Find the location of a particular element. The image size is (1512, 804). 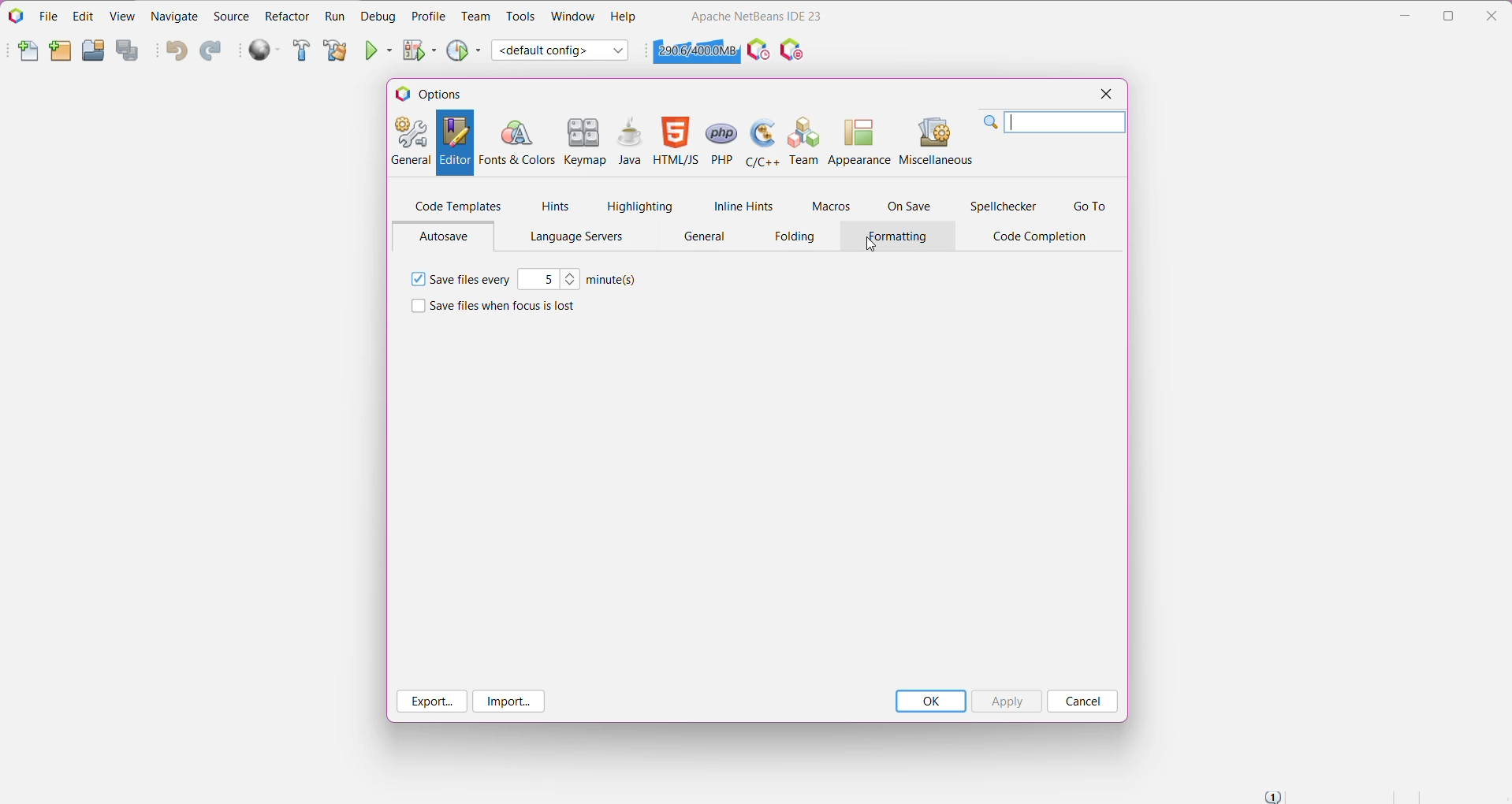

Team is located at coordinates (802, 140).